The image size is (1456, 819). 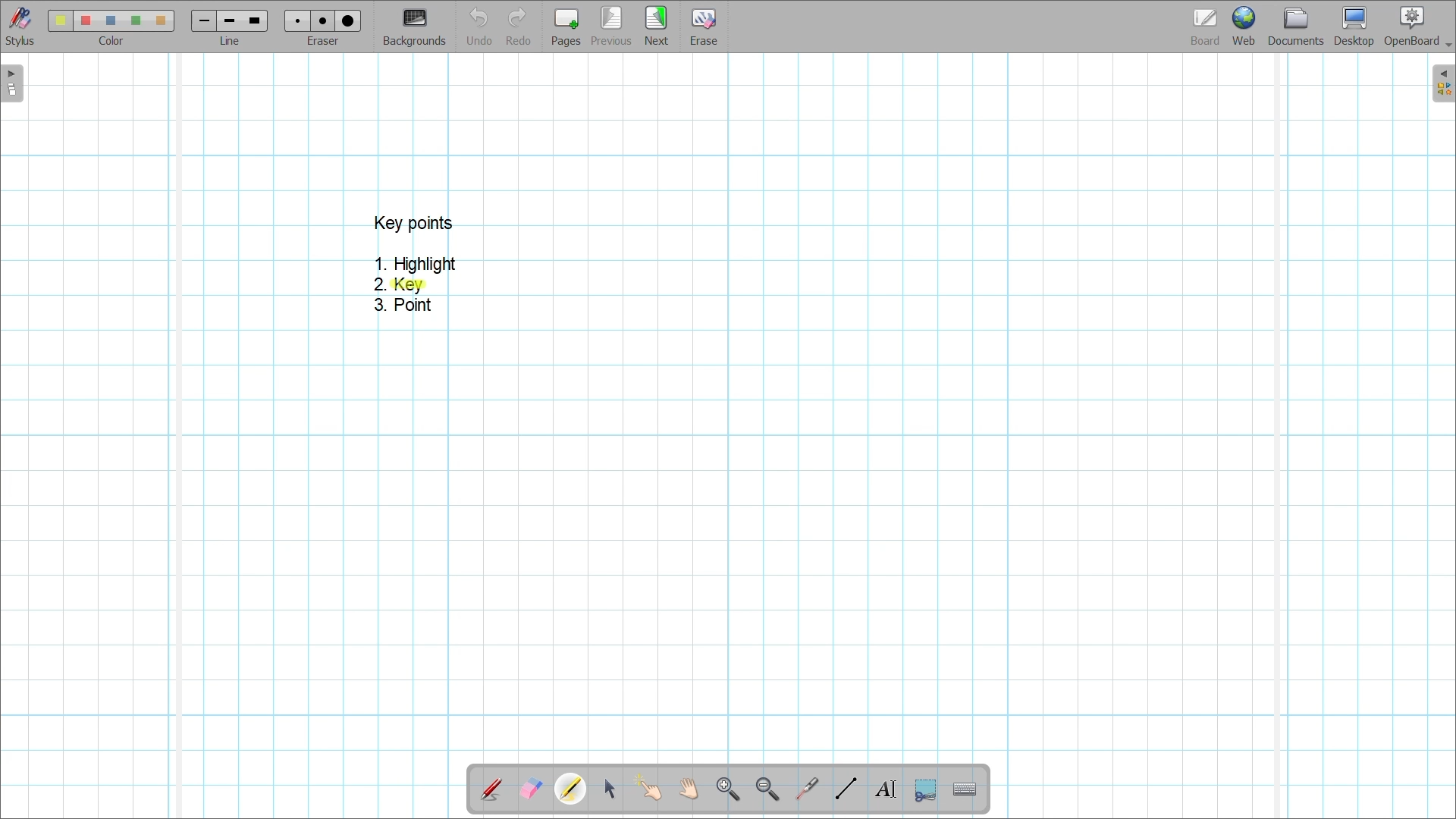 I want to click on Draw lines, so click(x=846, y=789).